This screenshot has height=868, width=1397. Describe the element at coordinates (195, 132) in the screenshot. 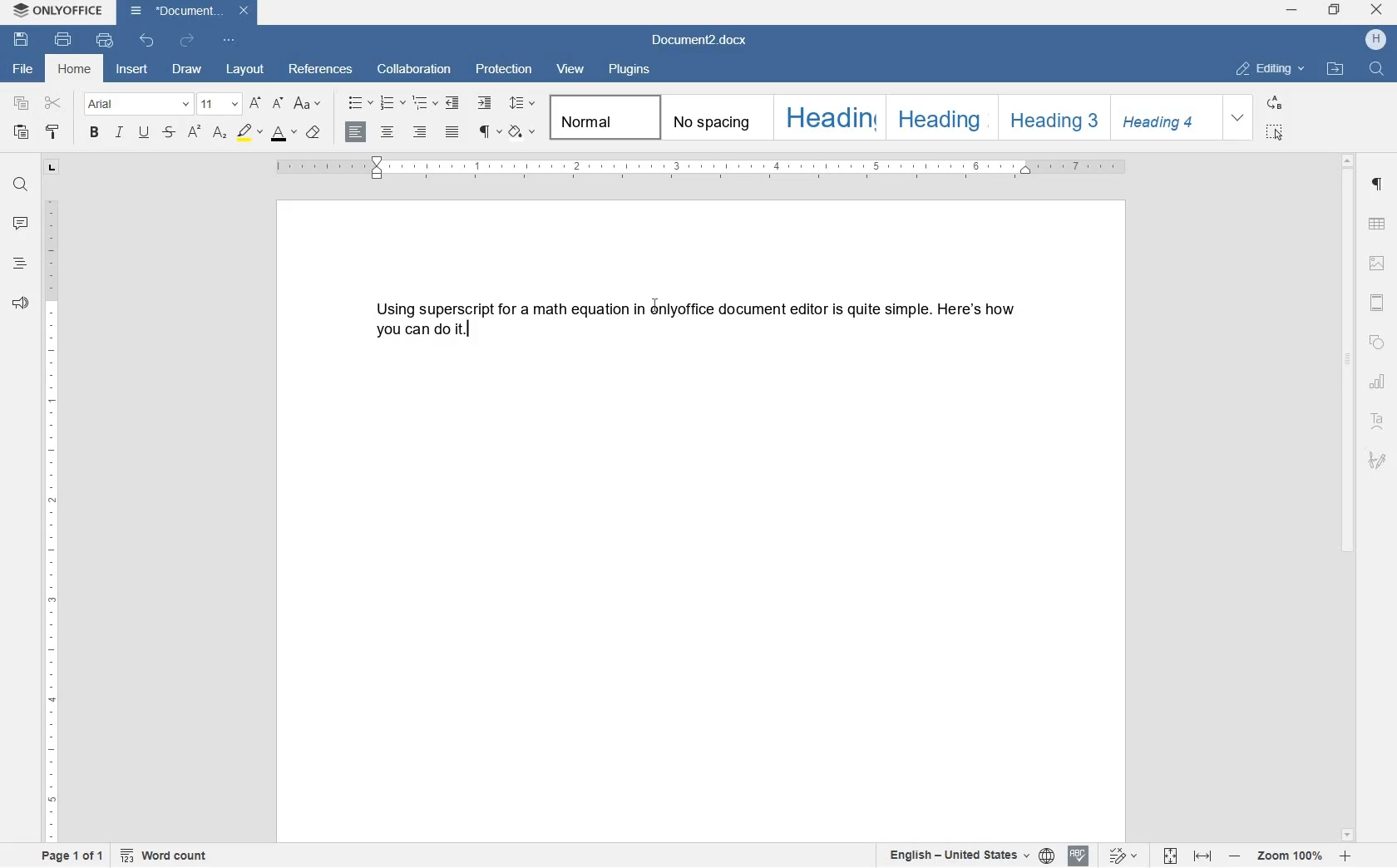

I see `superscript` at that location.